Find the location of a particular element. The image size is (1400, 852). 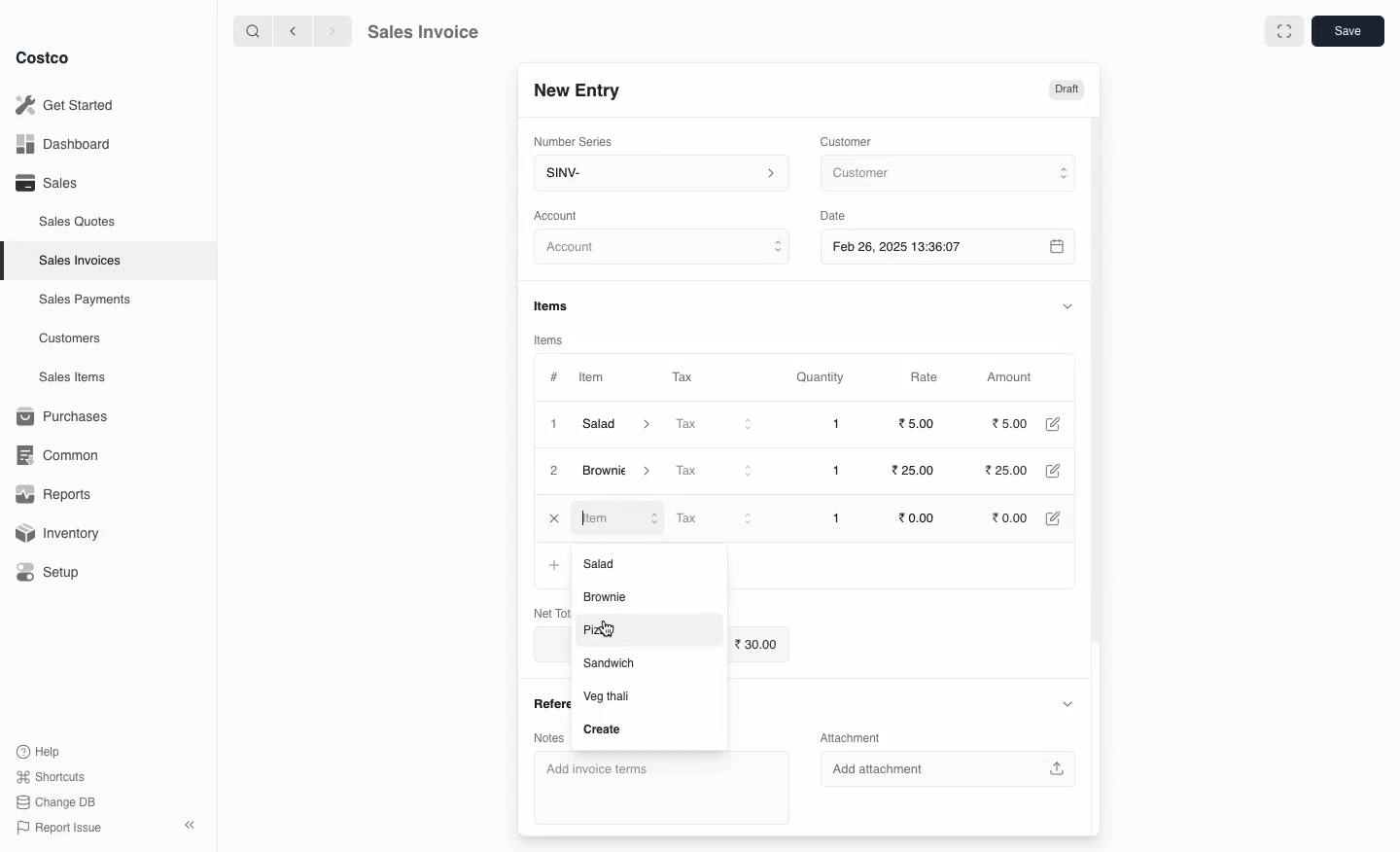

1 is located at coordinates (552, 423).